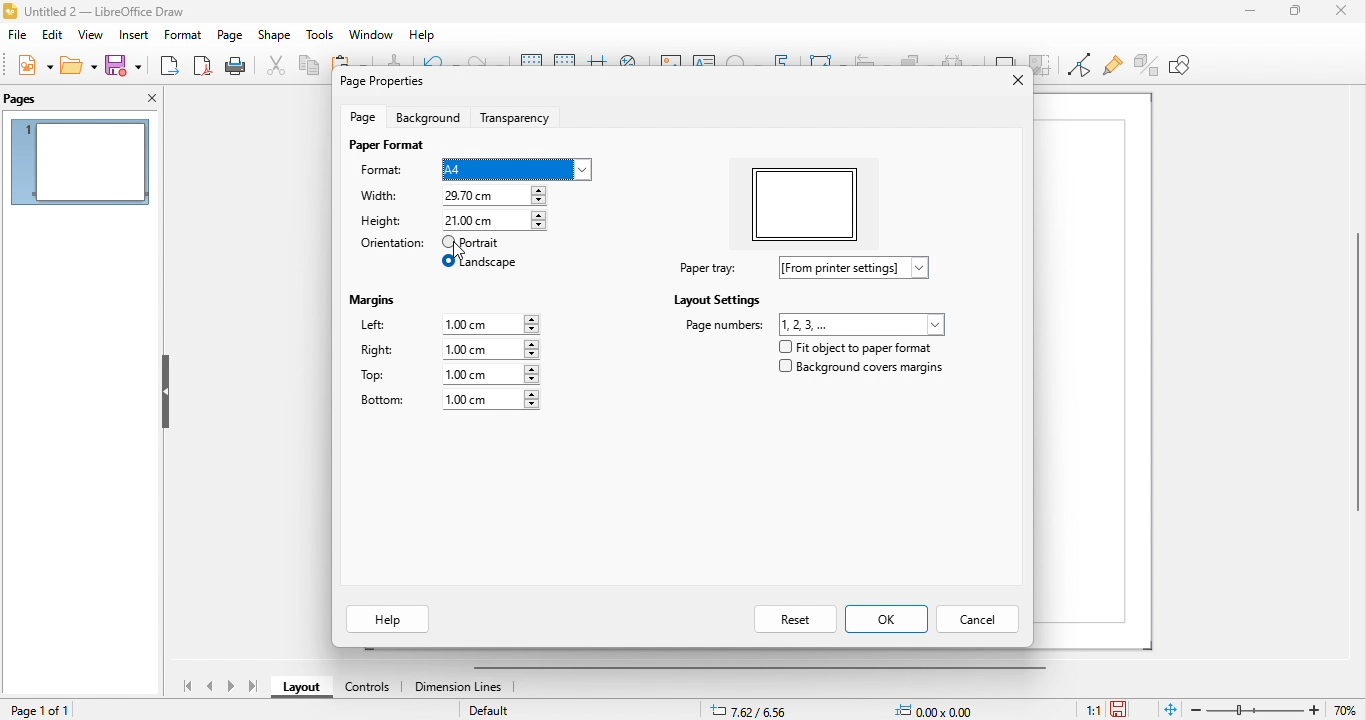 The image size is (1366, 720). Describe the element at coordinates (44, 710) in the screenshot. I see `page 1 of 1` at that location.